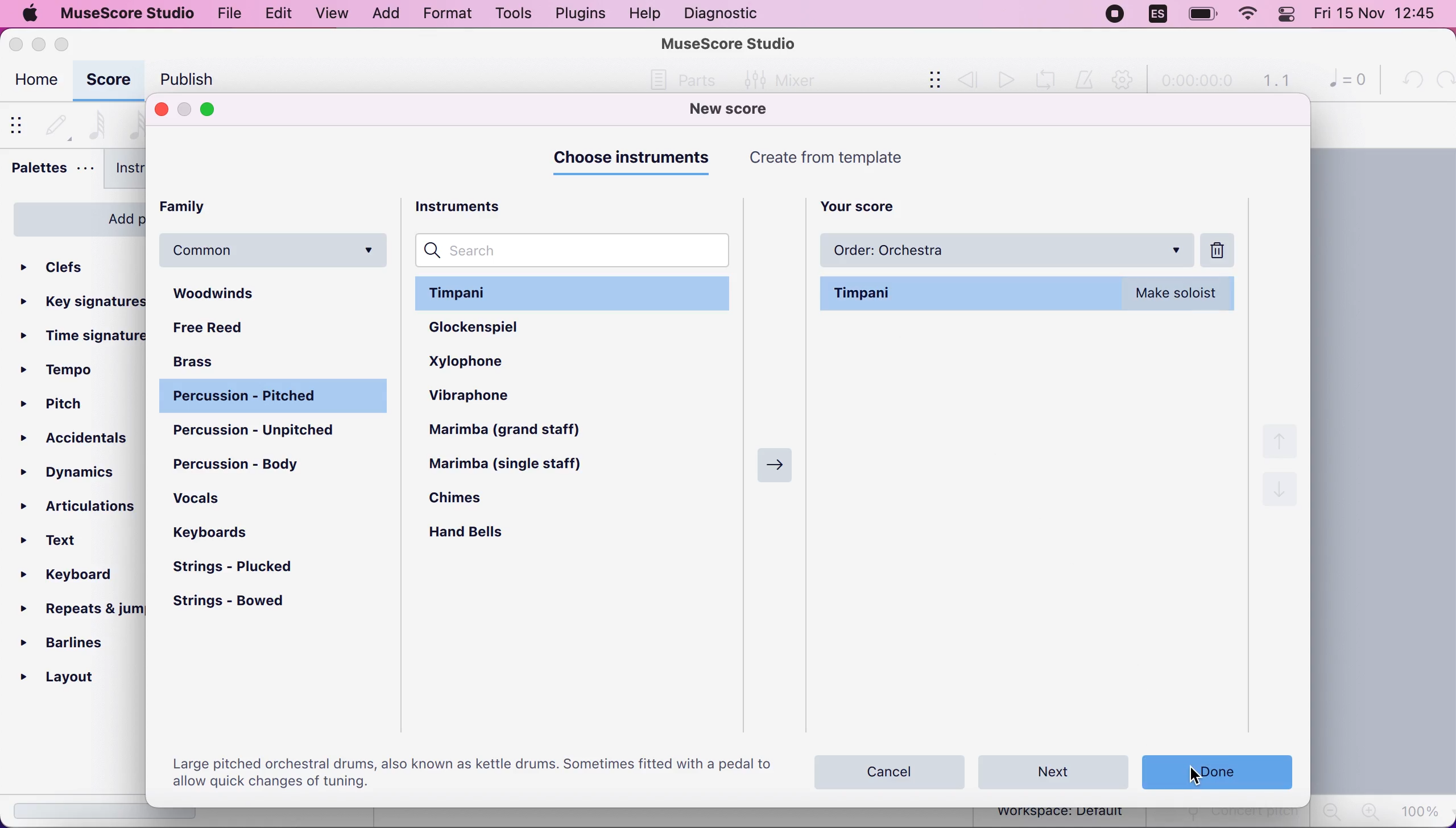  I want to click on tools, so click(508, 14).